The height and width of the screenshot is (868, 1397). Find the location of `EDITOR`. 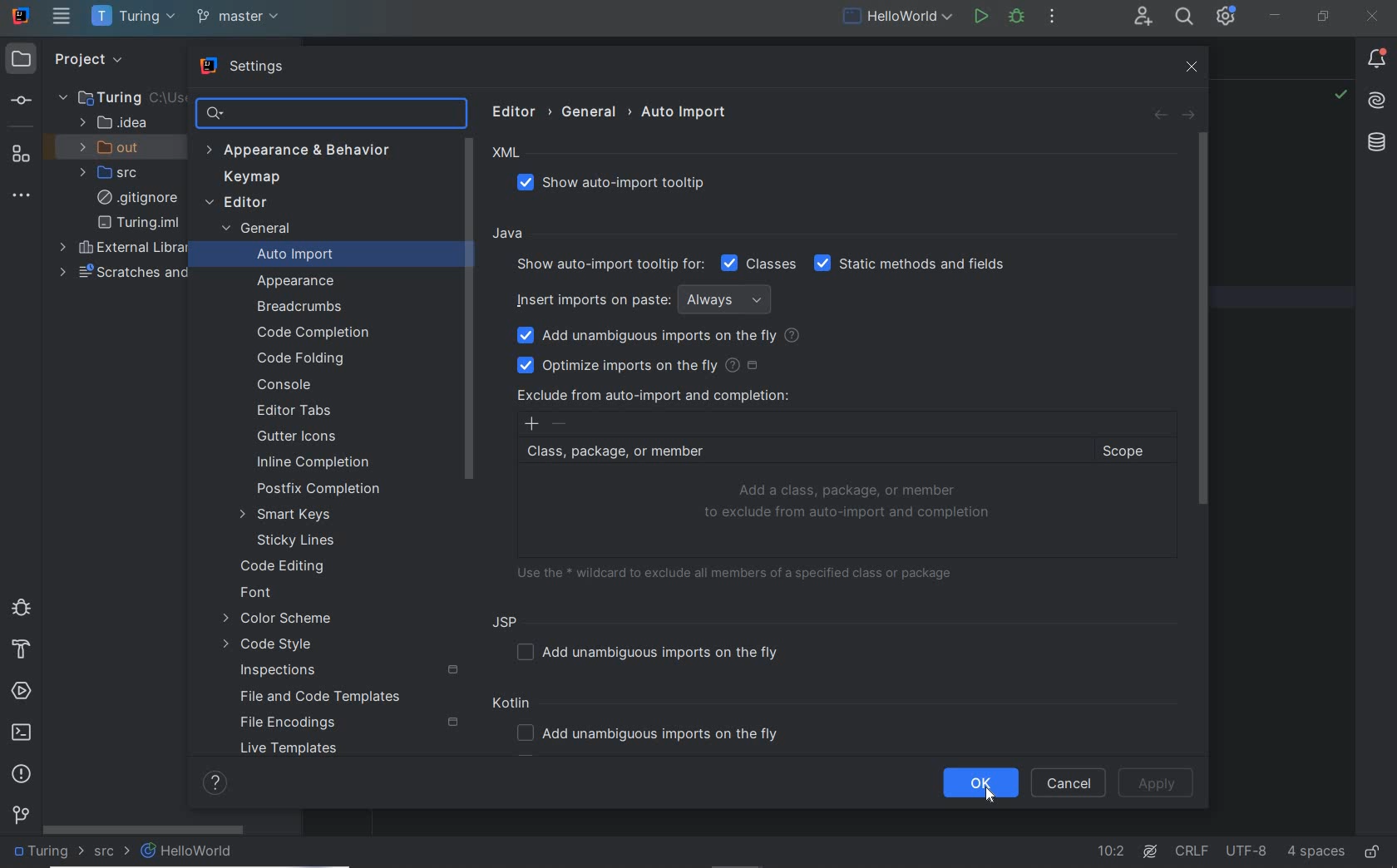

EDITOR is located at coordinates (236, 204).